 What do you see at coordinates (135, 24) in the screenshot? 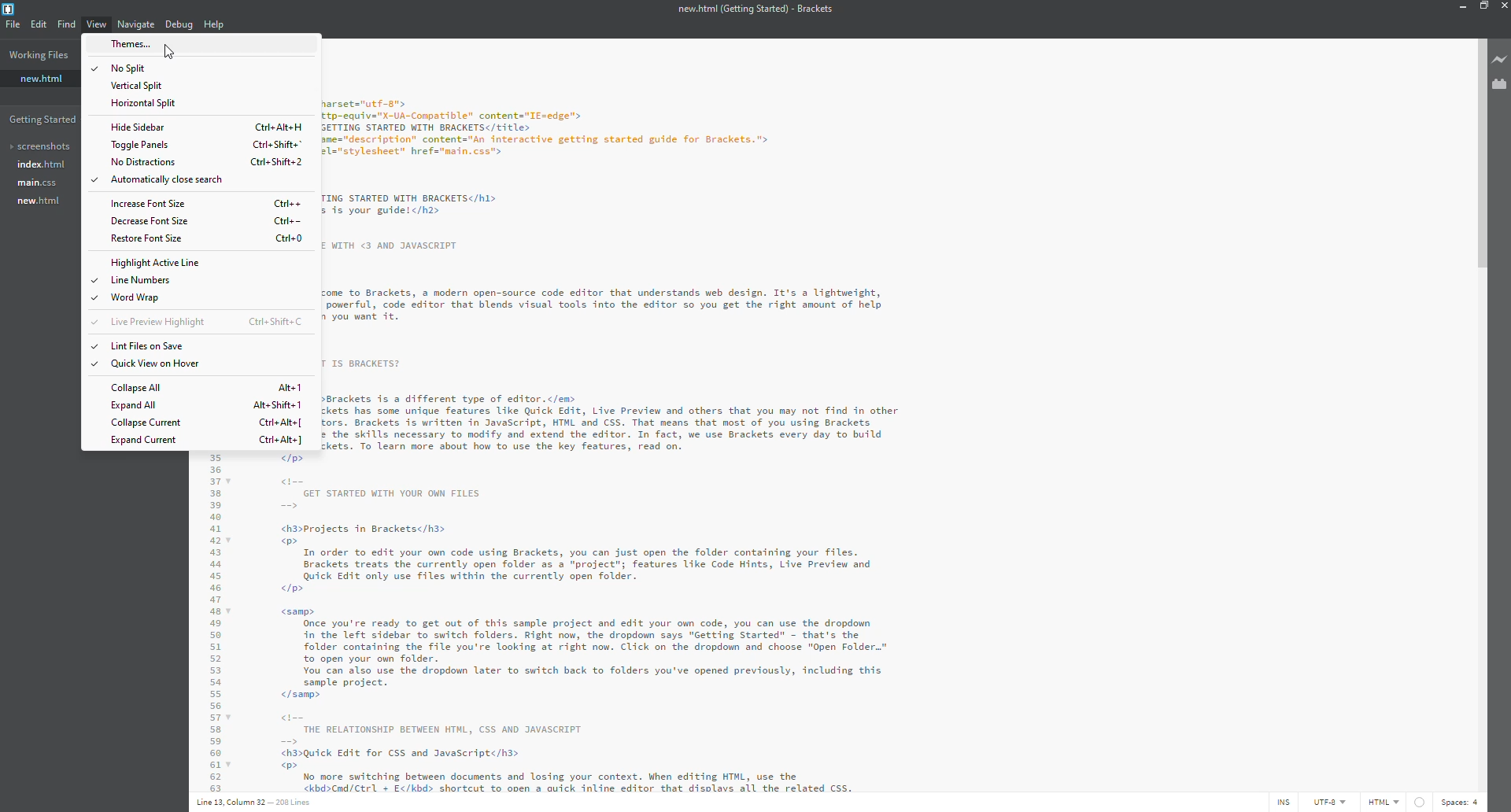
I see `navigate` at bounding box center [135, 24].